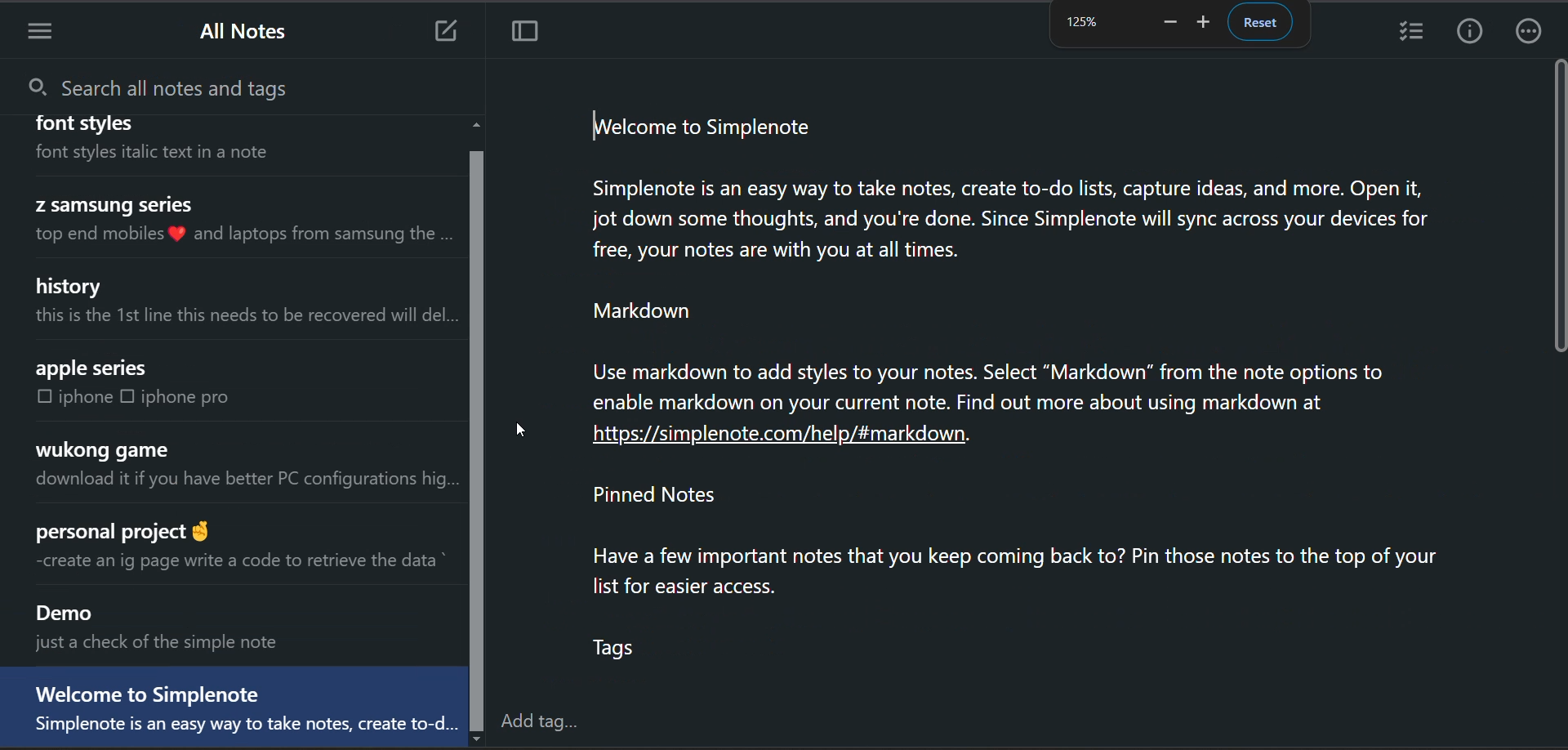 Image resolution: width=1568 pixels, height=750 pixels. I want to click on Pinned Notes

Have a few important notes that you keep coming back to? Pin those notes to the top of your
list for easier access.

Tags, so click(1018, 576).